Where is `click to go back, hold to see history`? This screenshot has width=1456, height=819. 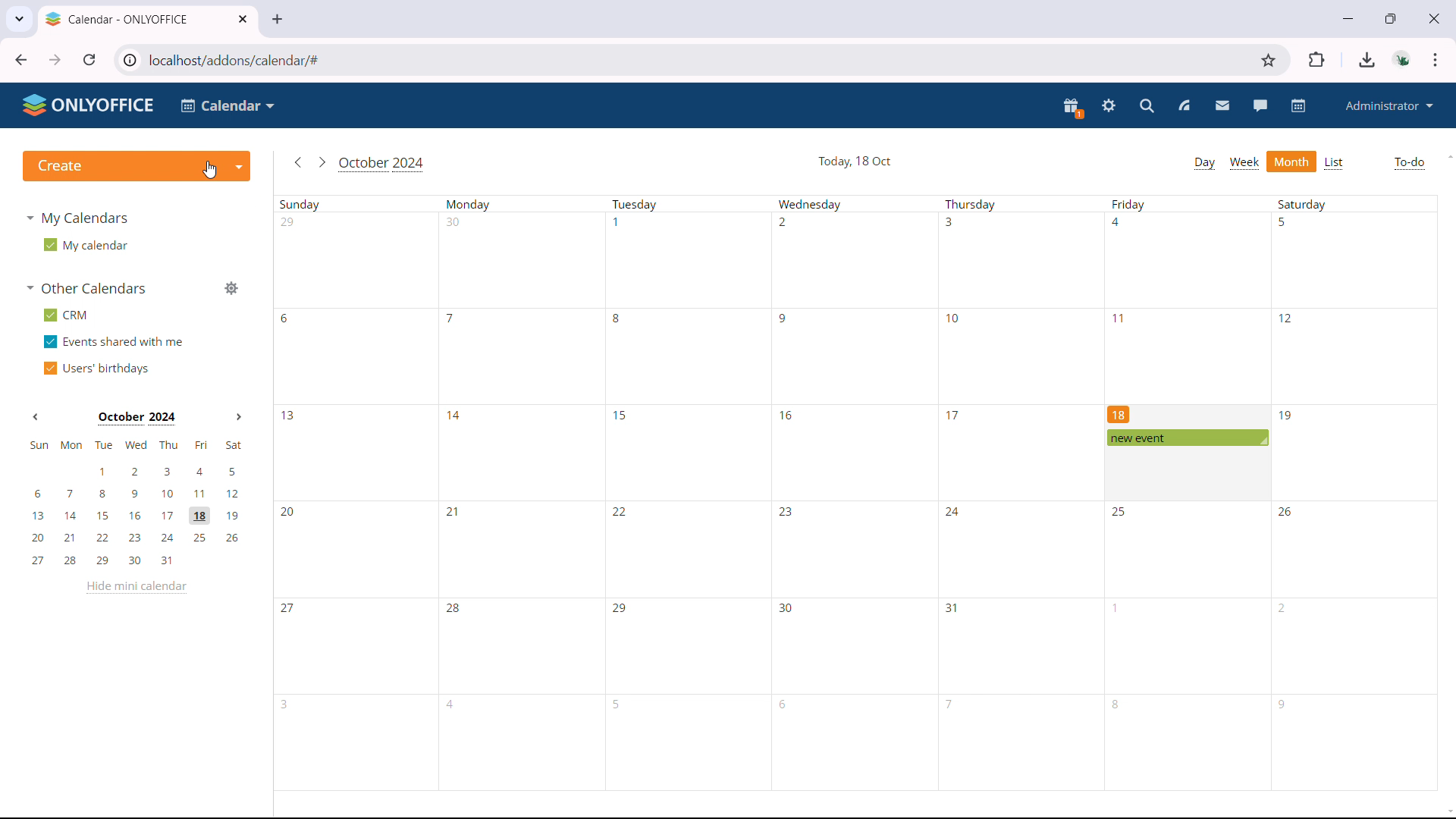
click to go back, hold to see history is located at coordinates (21, 59).